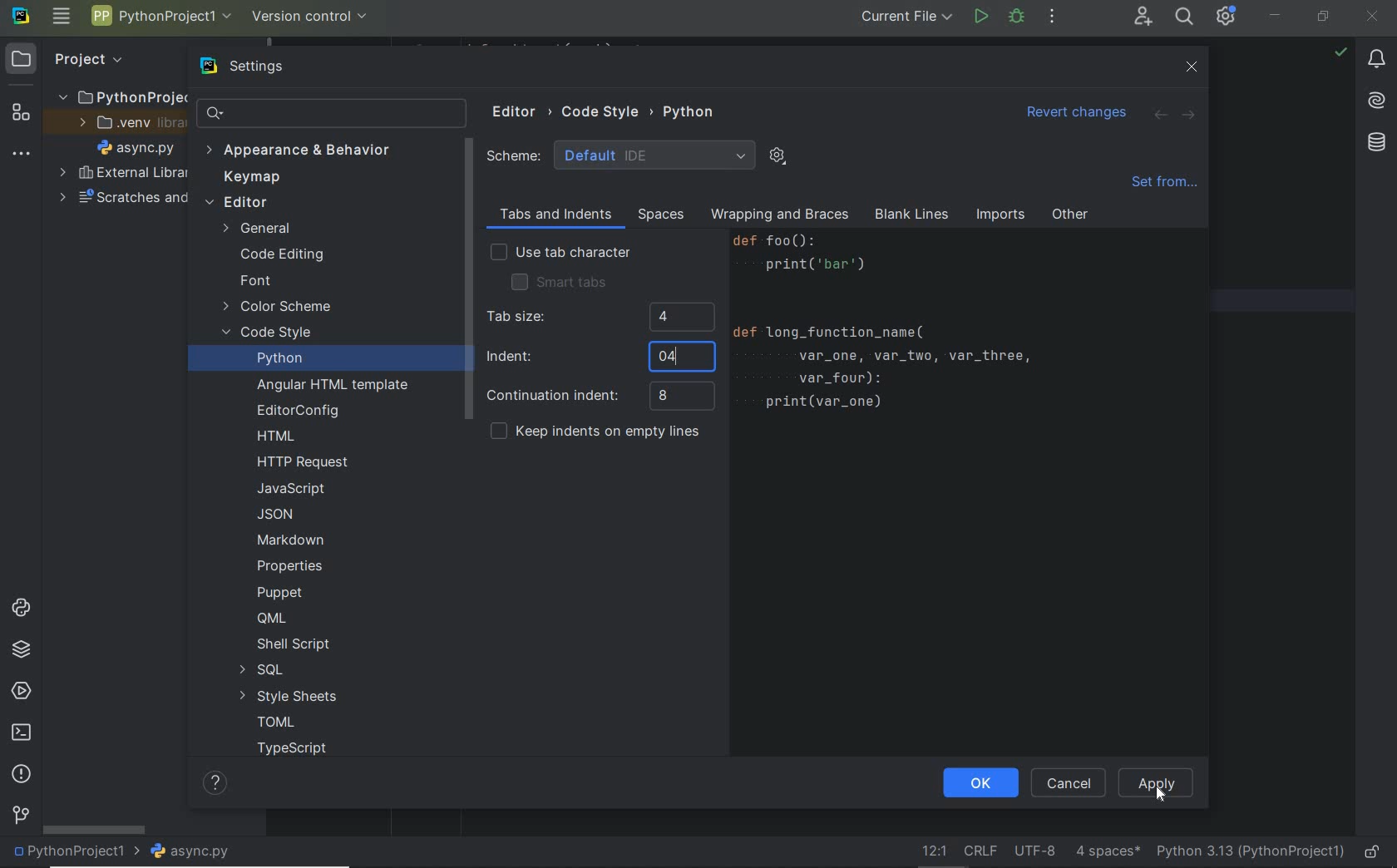  What do you see at coordinates (1159, 792) in the screenshot?
I see `Cursor Position` at bounding box center [1159, 792].